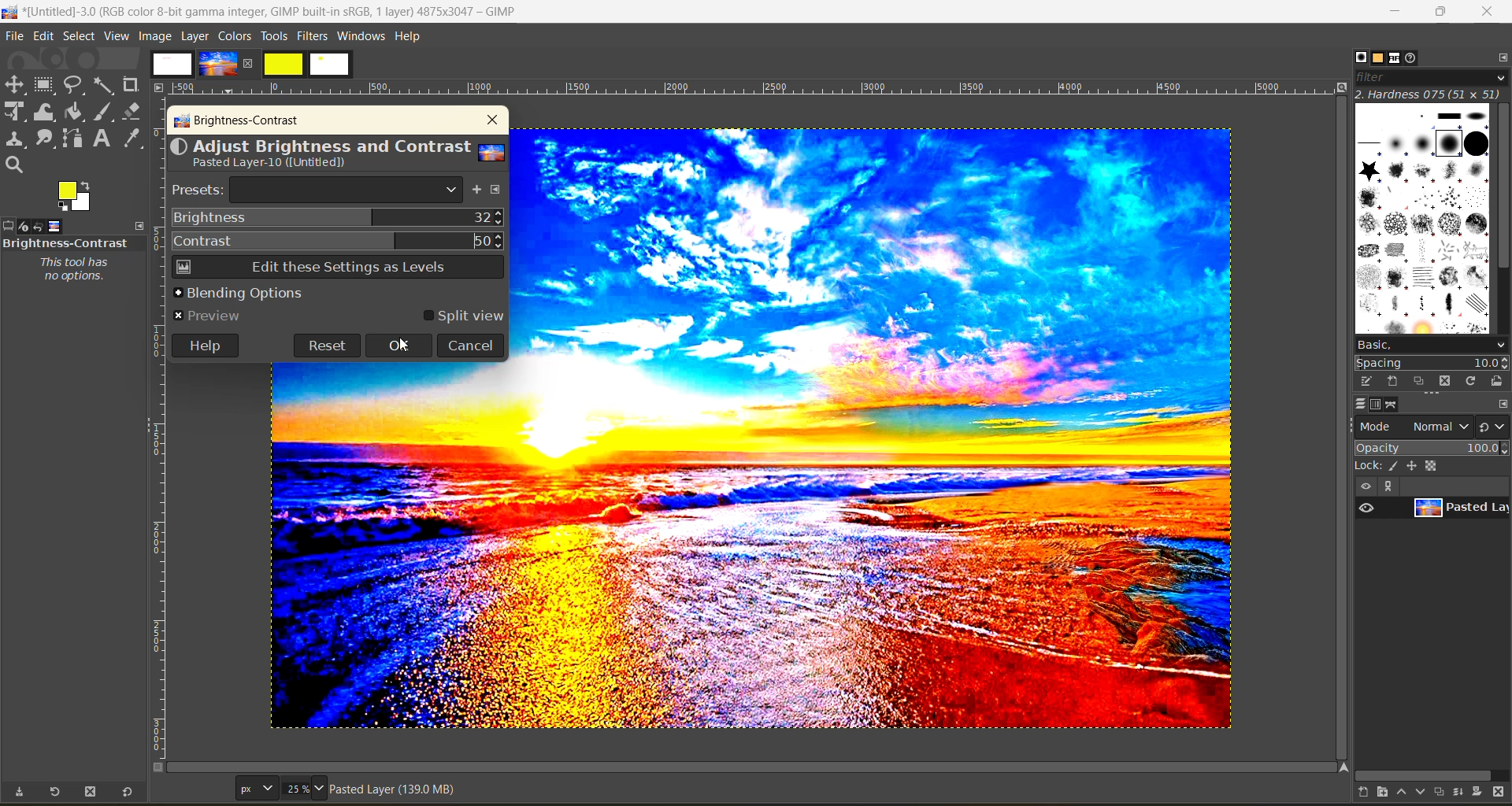 The height and width of the screenshot is (806, 1512). Describe the element at coordinates (1499, 382) in the screenshot. I see `open brush as image` at that location.